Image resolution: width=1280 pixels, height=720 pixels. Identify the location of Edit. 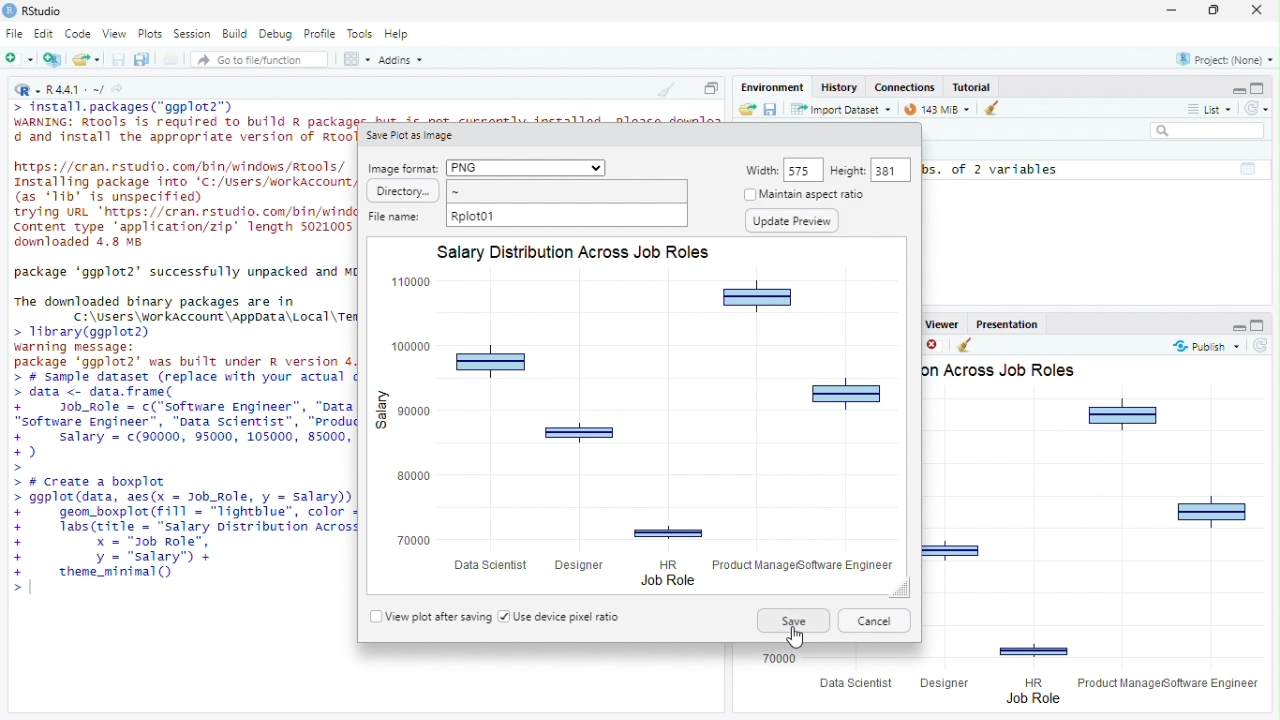
(43, 35).